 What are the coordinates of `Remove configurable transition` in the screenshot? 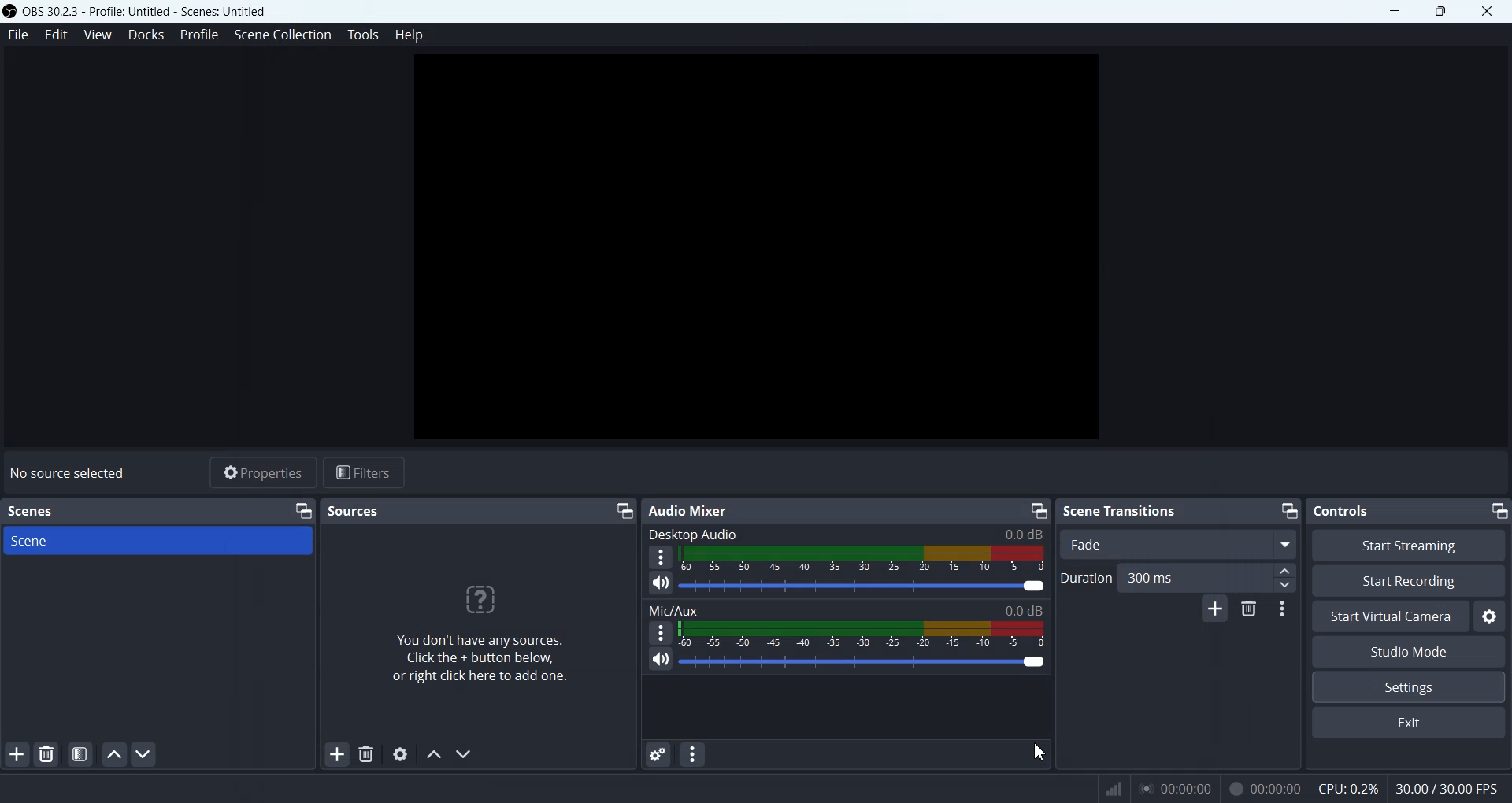 It's located at (1250, 609).